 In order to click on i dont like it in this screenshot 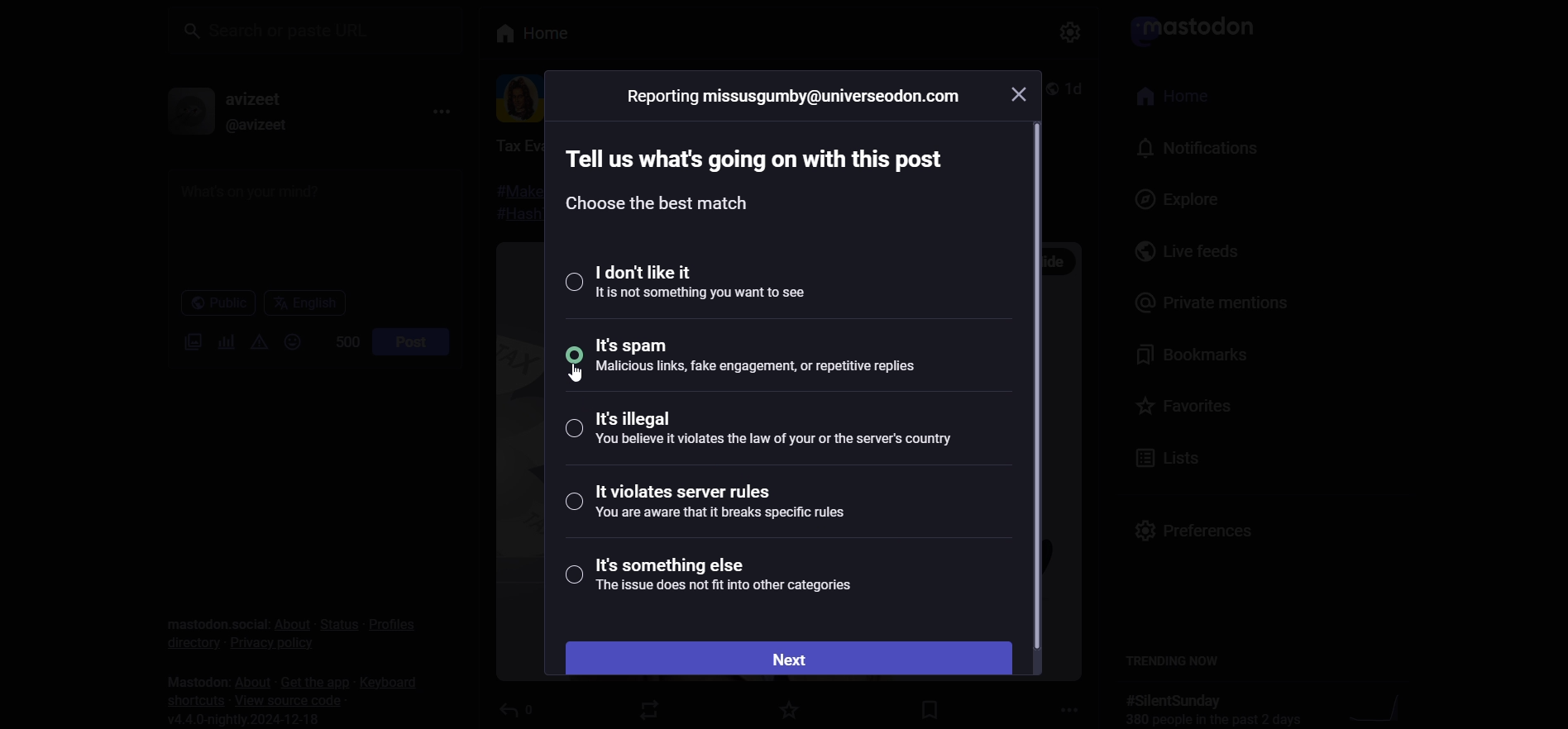, I will do `click(703, 280)`.